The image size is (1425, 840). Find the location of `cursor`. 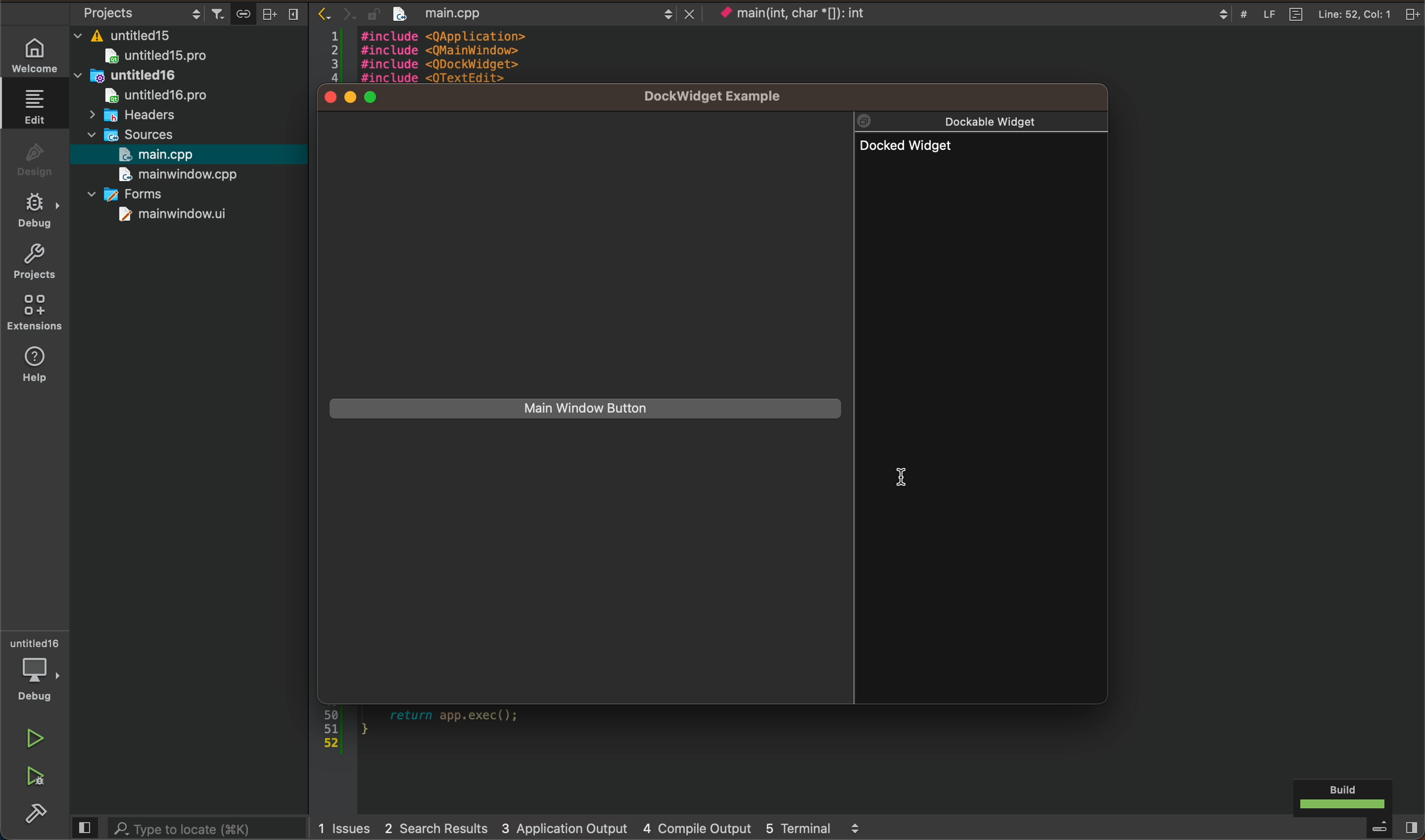

cursor is located at coordinates (915, 474).